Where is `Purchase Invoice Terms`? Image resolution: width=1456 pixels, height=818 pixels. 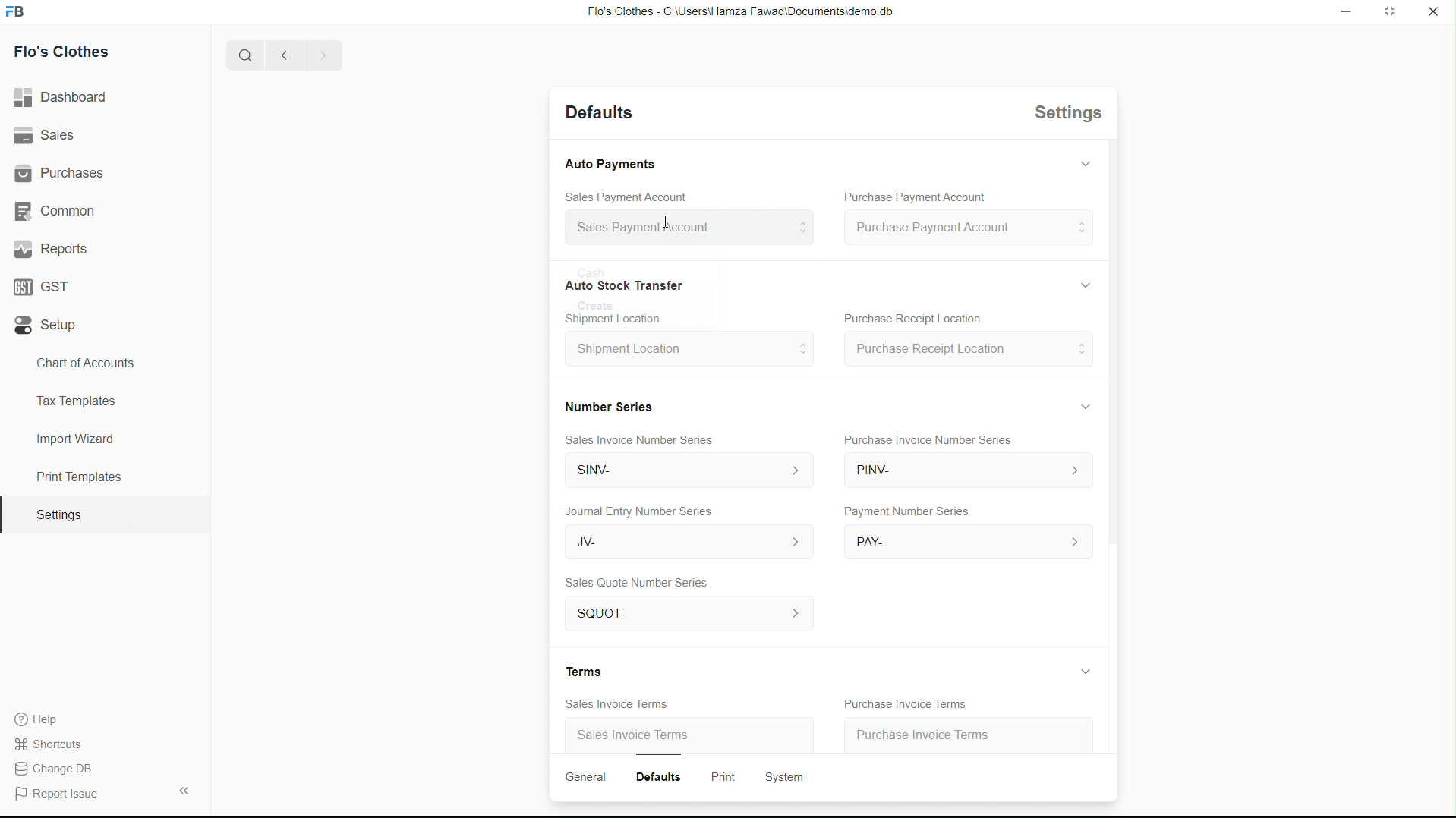
Purchase Invoice Terms is located at coordinates (946, 734).